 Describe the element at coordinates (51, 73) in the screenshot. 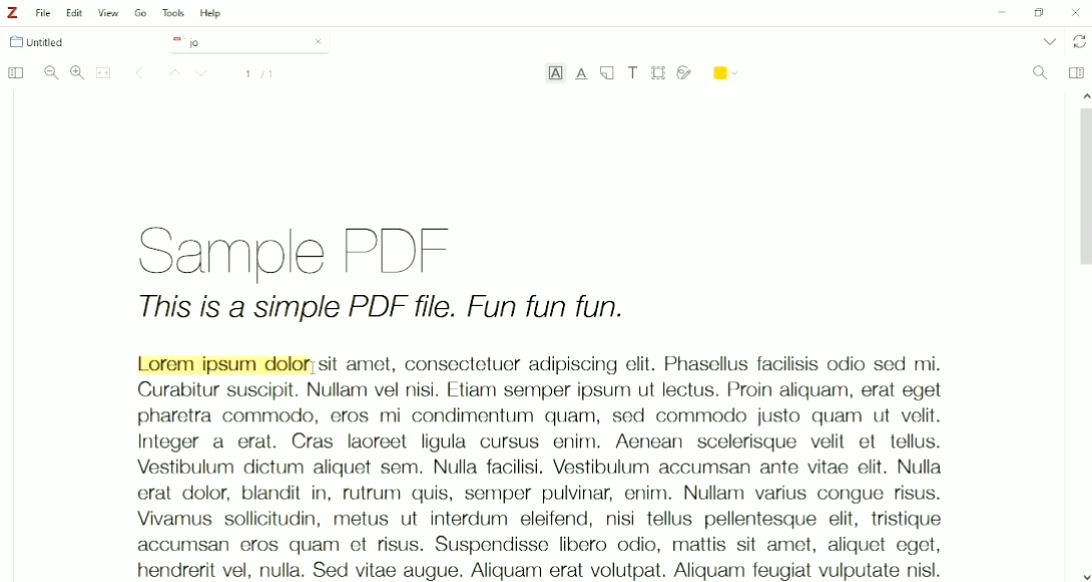

I see `Zoom Out` at that location.